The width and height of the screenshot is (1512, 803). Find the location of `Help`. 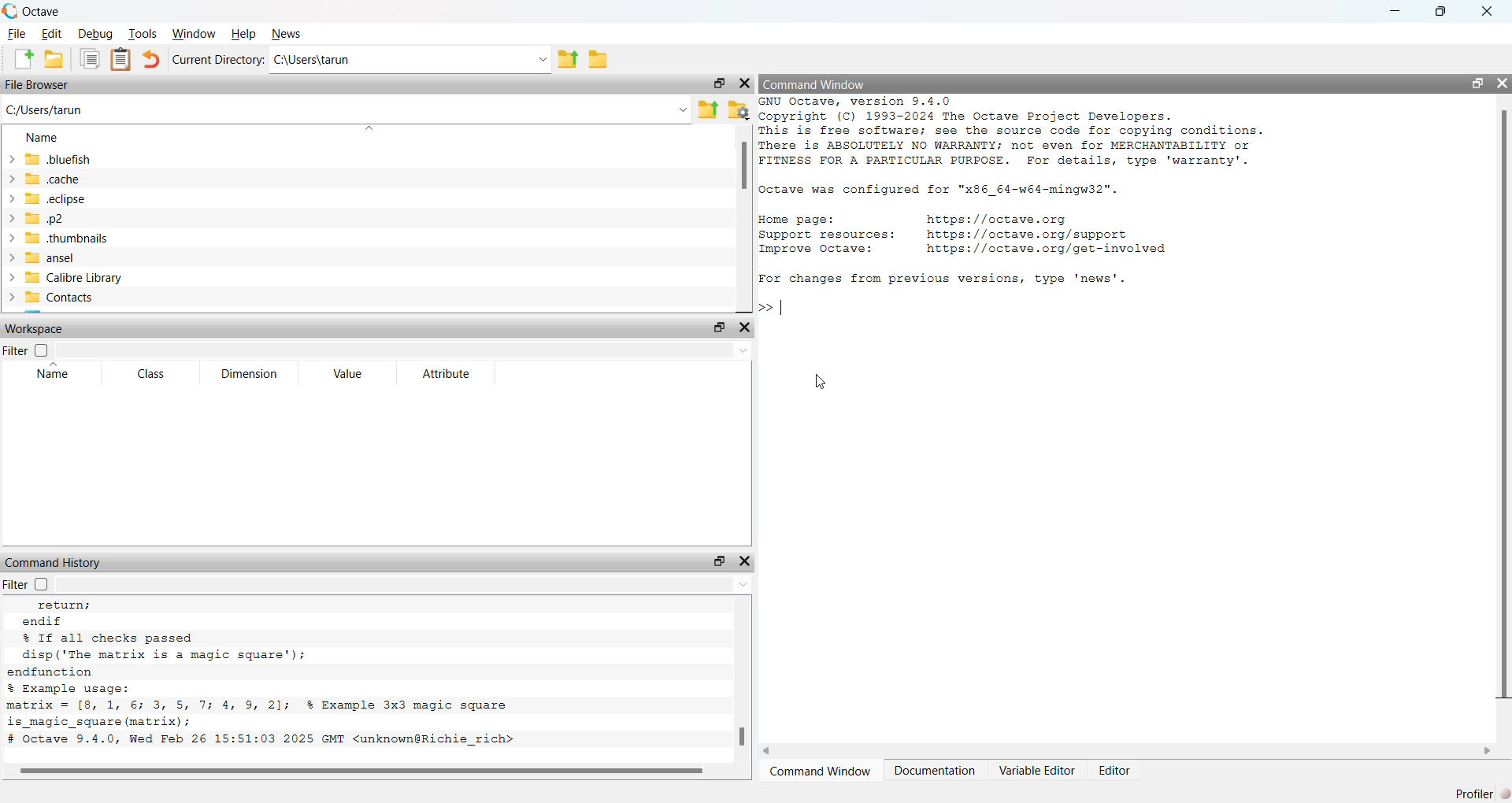

Help is located at coordinates (244, 34).